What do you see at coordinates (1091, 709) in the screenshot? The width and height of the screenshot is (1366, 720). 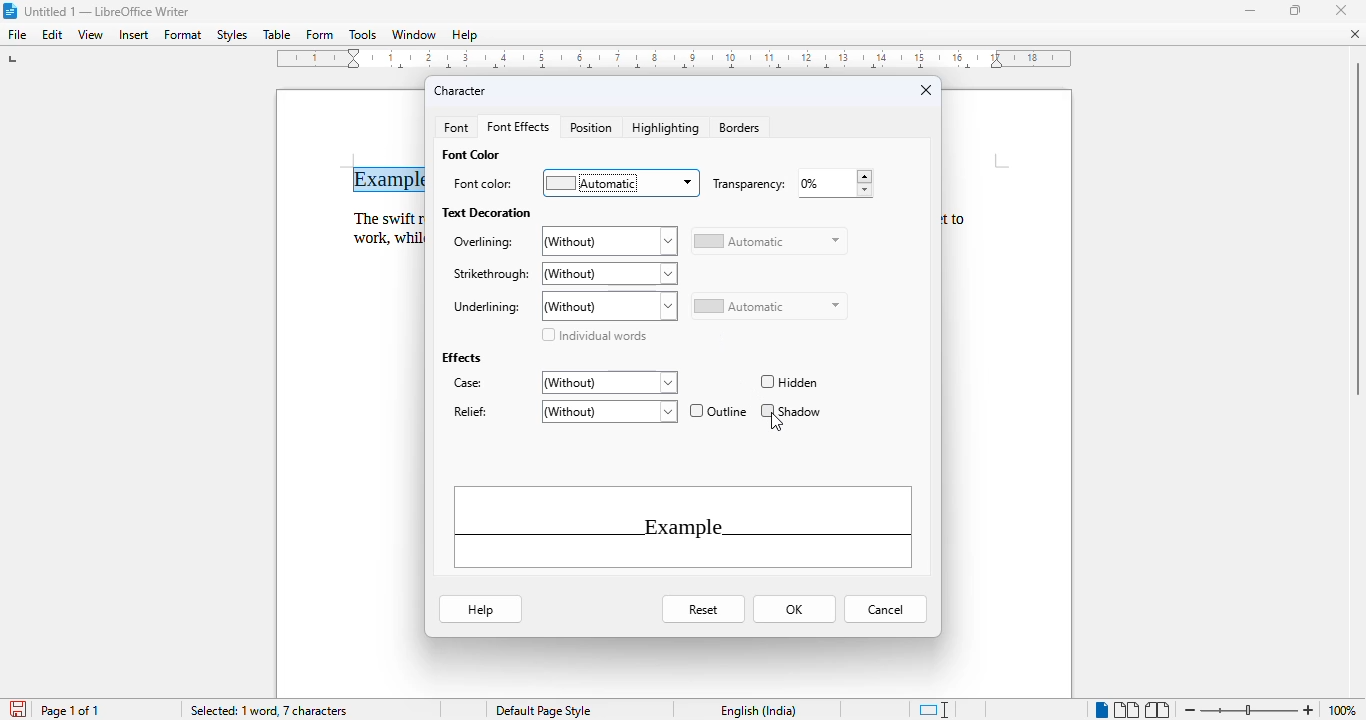 I see `Single Page view` at bounding box center [1091, 709].